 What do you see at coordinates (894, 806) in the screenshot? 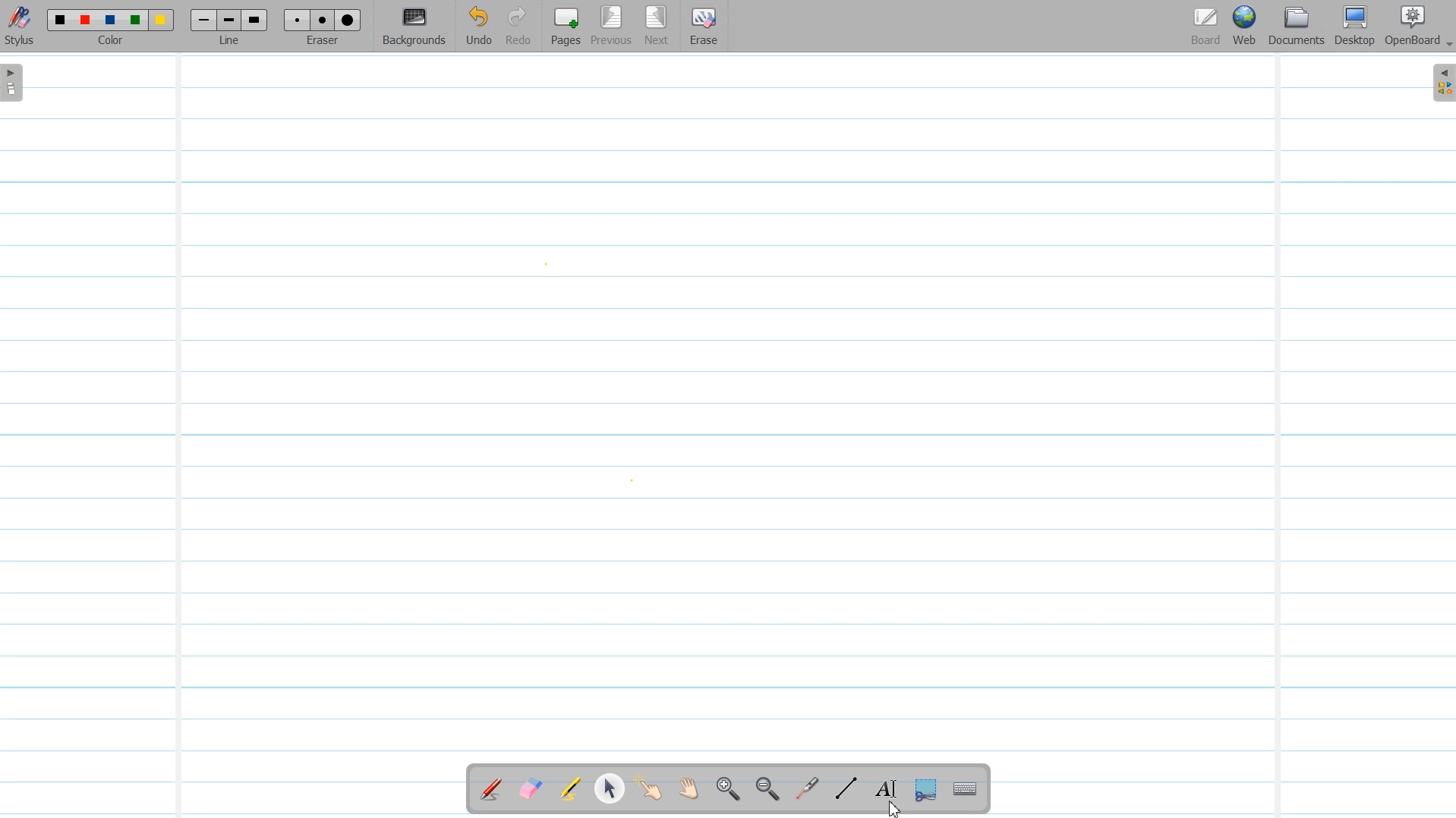
I see `Cursor` at bounding box center [894, 806].